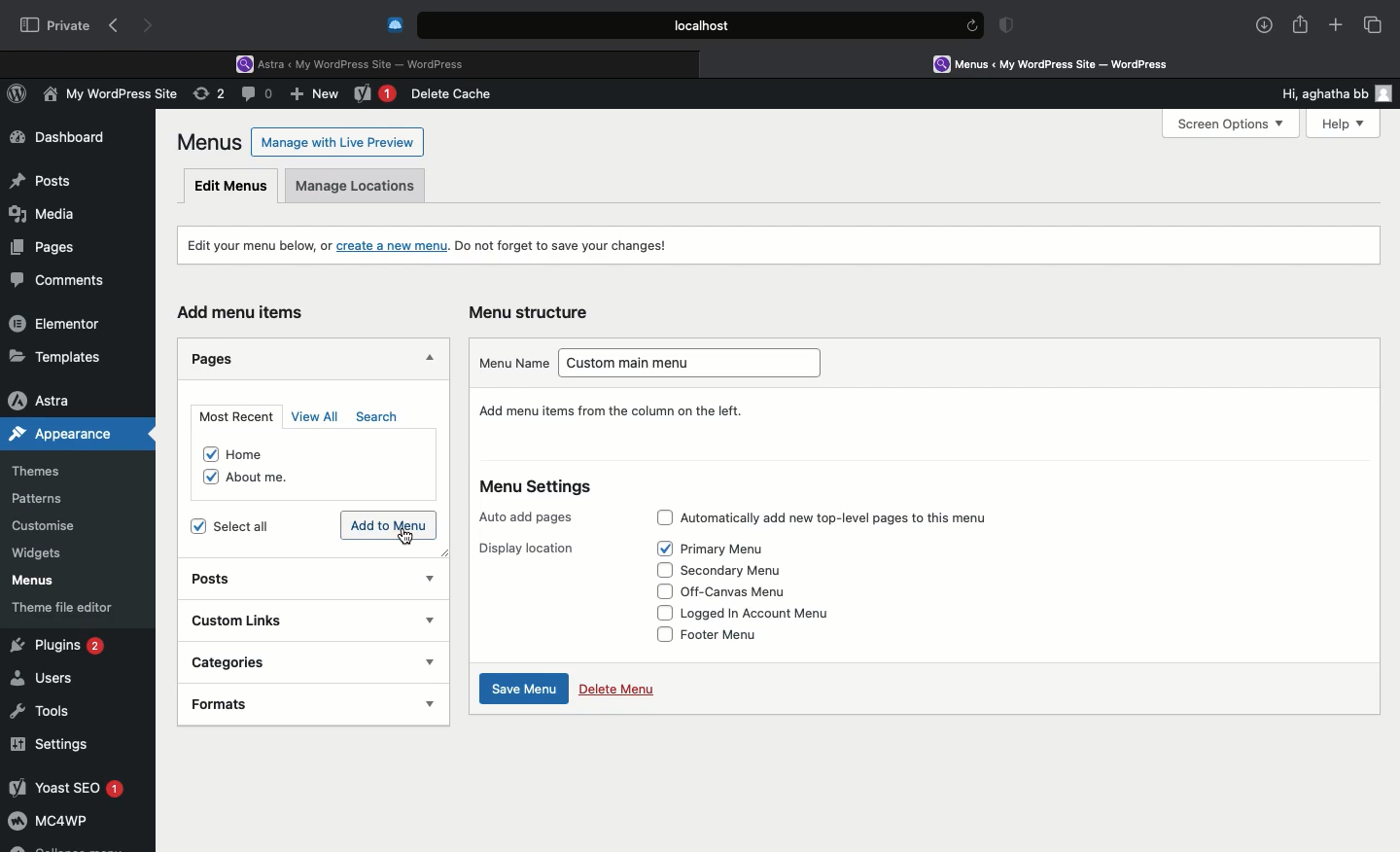 The height and width of the screenshot is (852, 1400). What do you see at coordinates (232, 185) in the screenshot?
I see `Edit menus` at bounding box center [232, 185].